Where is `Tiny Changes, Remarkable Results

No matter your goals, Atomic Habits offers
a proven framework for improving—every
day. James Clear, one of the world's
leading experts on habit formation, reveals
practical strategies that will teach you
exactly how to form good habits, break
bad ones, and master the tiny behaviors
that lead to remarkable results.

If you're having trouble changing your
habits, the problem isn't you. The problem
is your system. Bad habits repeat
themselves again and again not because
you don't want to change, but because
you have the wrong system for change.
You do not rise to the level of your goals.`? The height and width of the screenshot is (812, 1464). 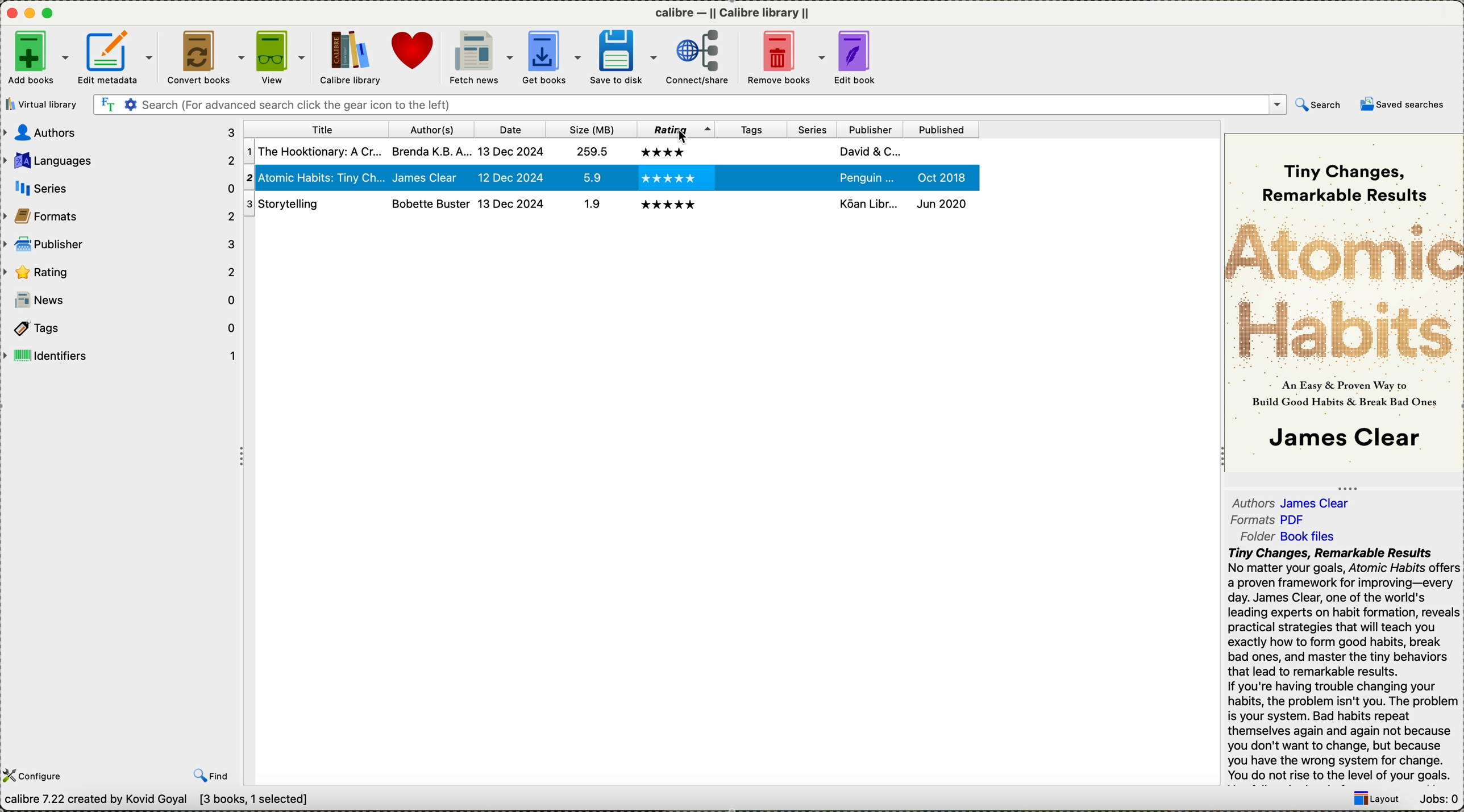
Tiny Changes, Remarkable Results

No matter your goals, Atomic Habits offers
a proven framework for improving—every
day. James Clear, one of the world's
leading experts on habit formation, reveals
practical strategies that will teach you
exactly how to form good habits, break
bad ones, and master the tiny behaviors
that lead to remarkable results.

If you're having trouble changing your
habits, the problem isn't you. The problem
is your system. Bad habits repeat
themselves again and again not because
you don't want to change, but because
you have the wrong system for change.
You do not rise to the level of your goals. is located at coordinates (1342, 665).